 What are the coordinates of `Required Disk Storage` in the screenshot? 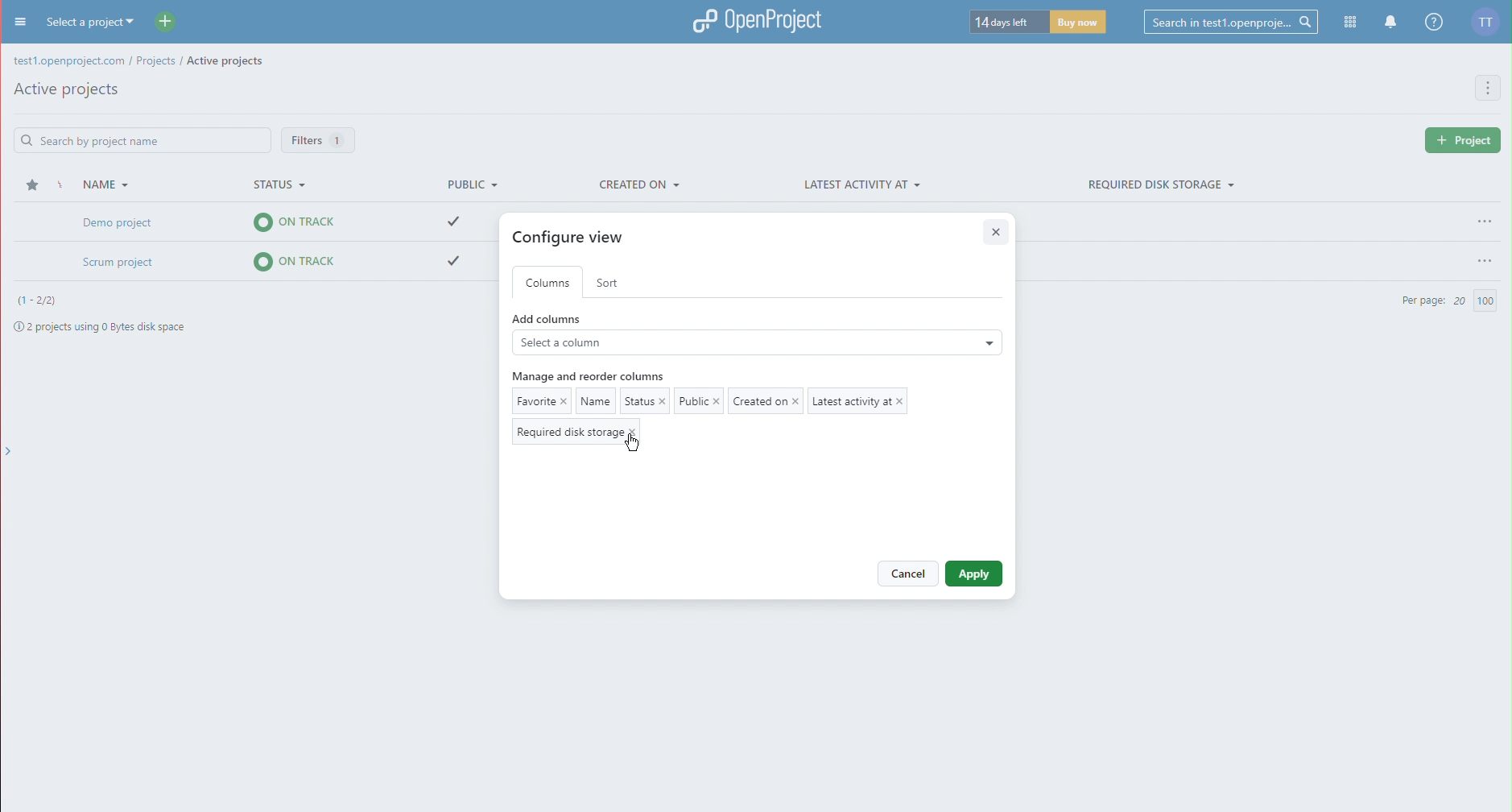 It's located at (1159, 184).